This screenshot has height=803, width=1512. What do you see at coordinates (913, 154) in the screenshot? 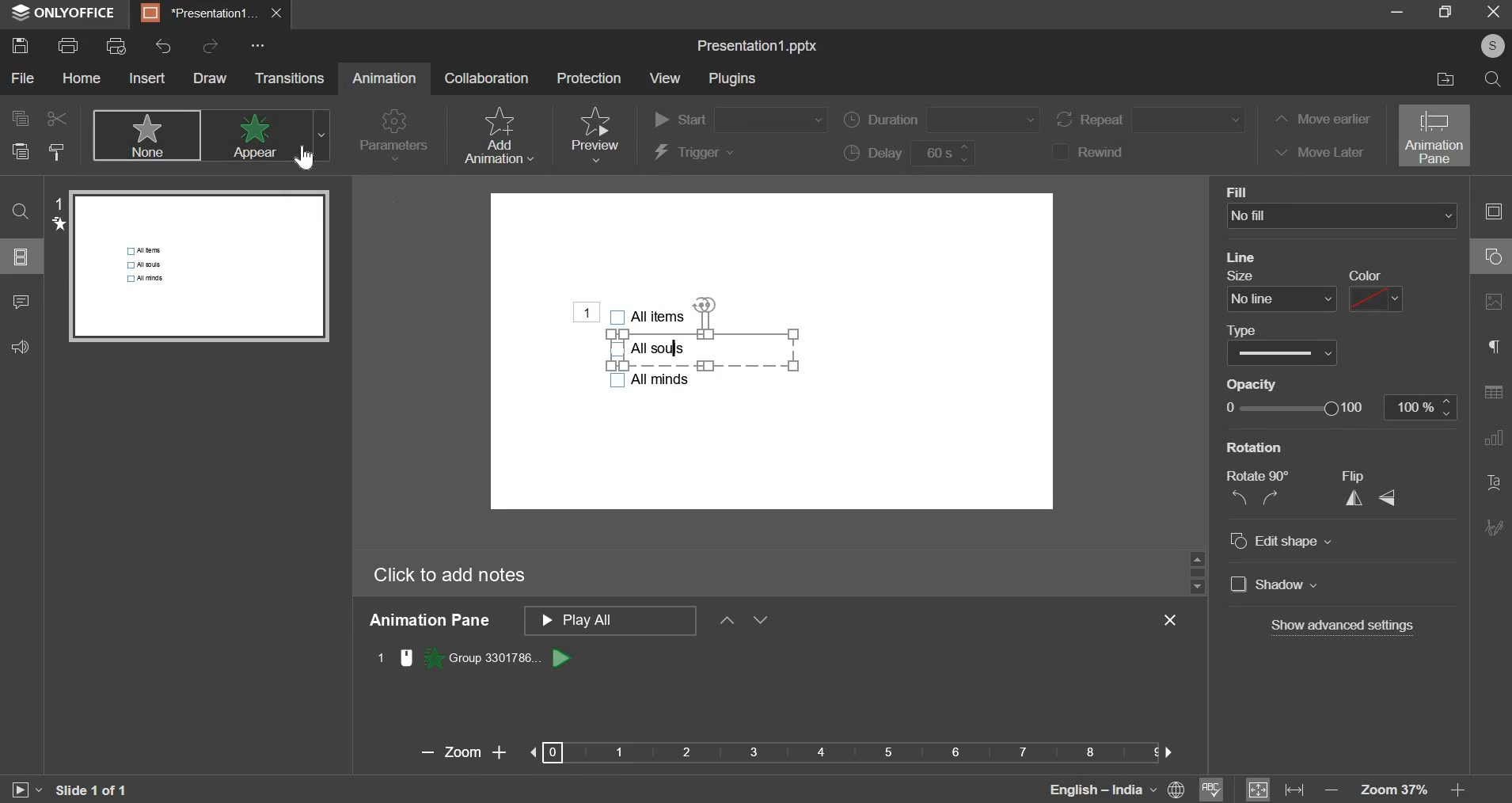
I see `delay` at bounding box center [913, 154].